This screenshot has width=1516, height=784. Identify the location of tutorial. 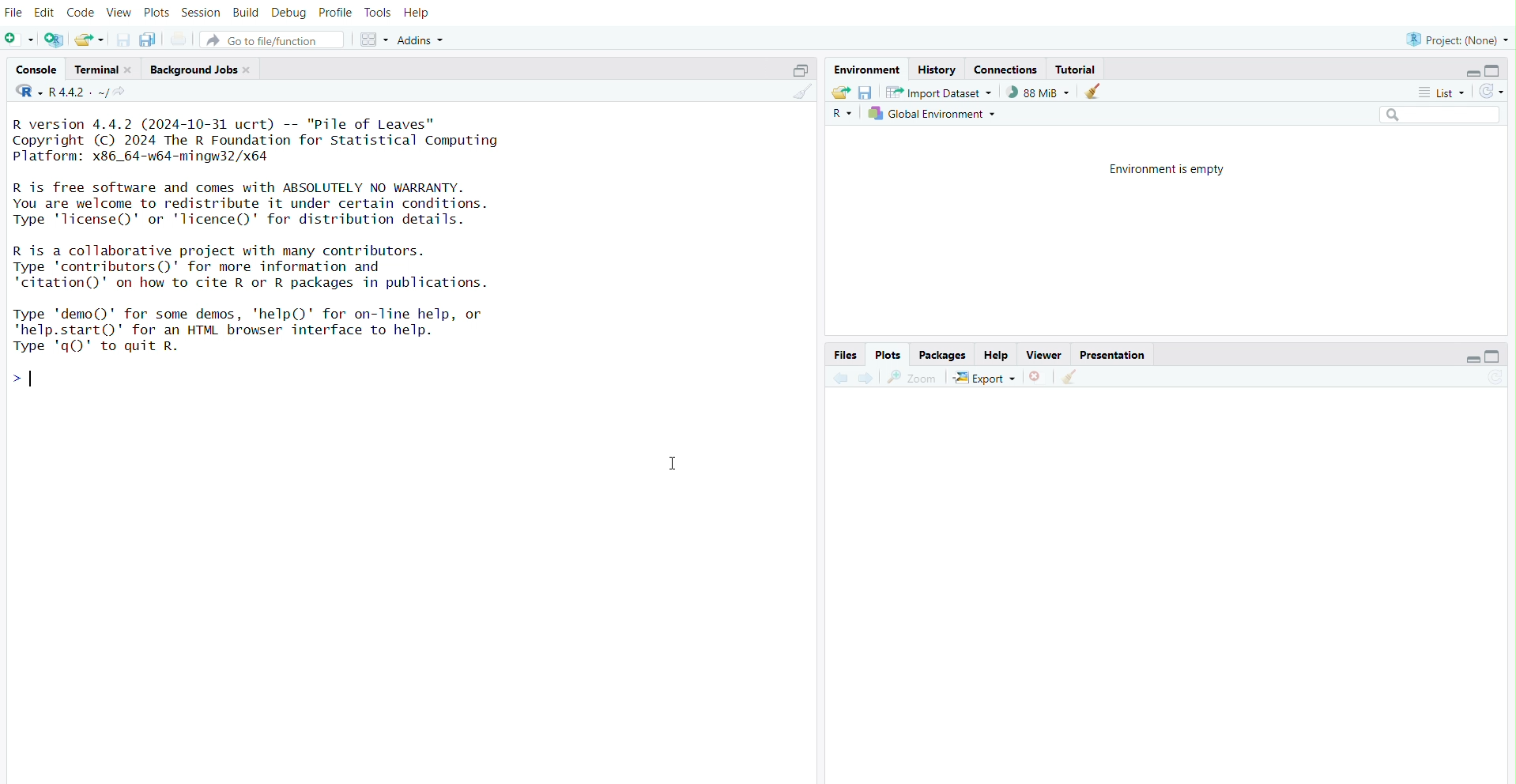
(1075, 68).